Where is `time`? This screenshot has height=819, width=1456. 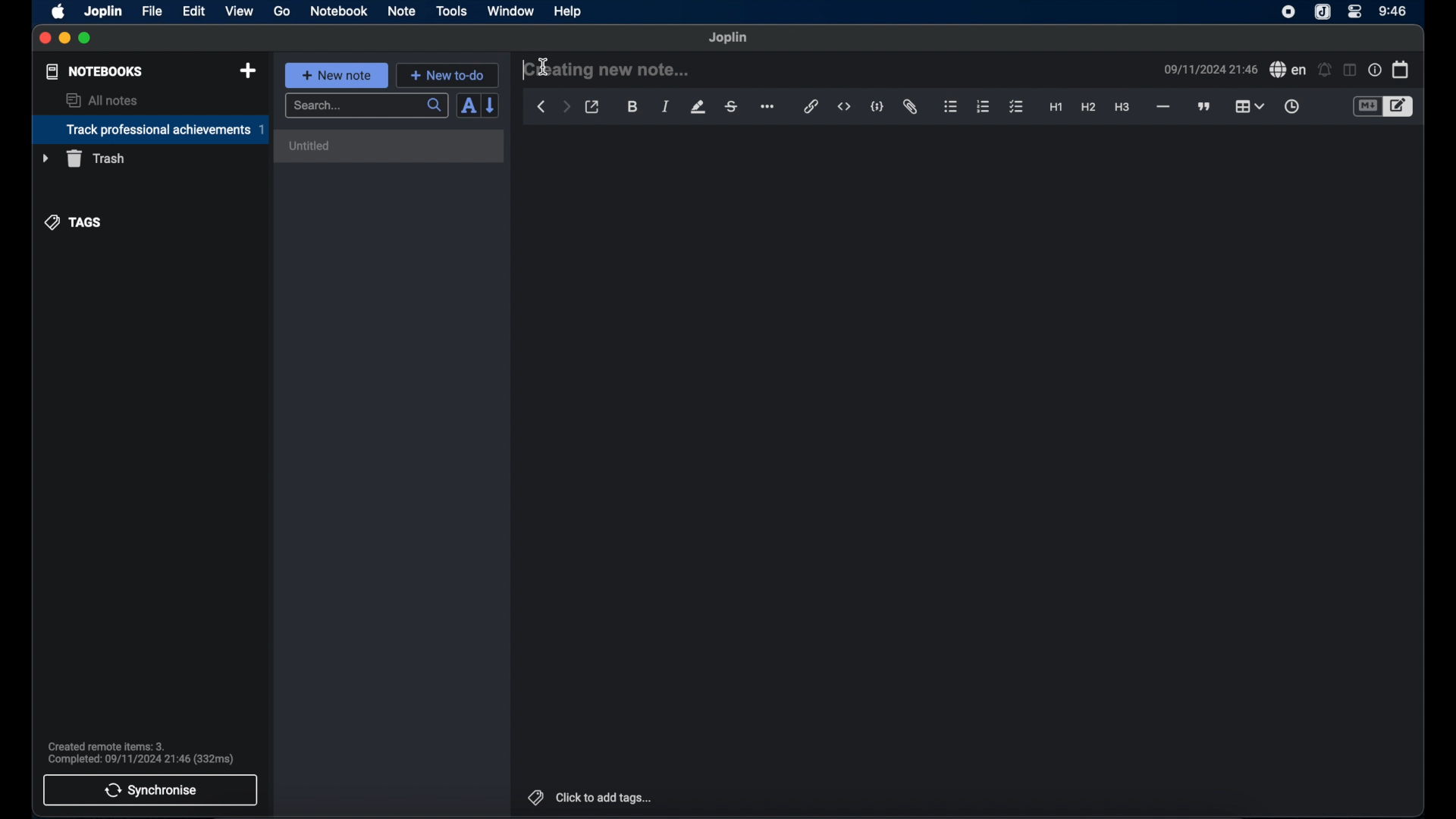 time is located at coordinates (1393, 11).